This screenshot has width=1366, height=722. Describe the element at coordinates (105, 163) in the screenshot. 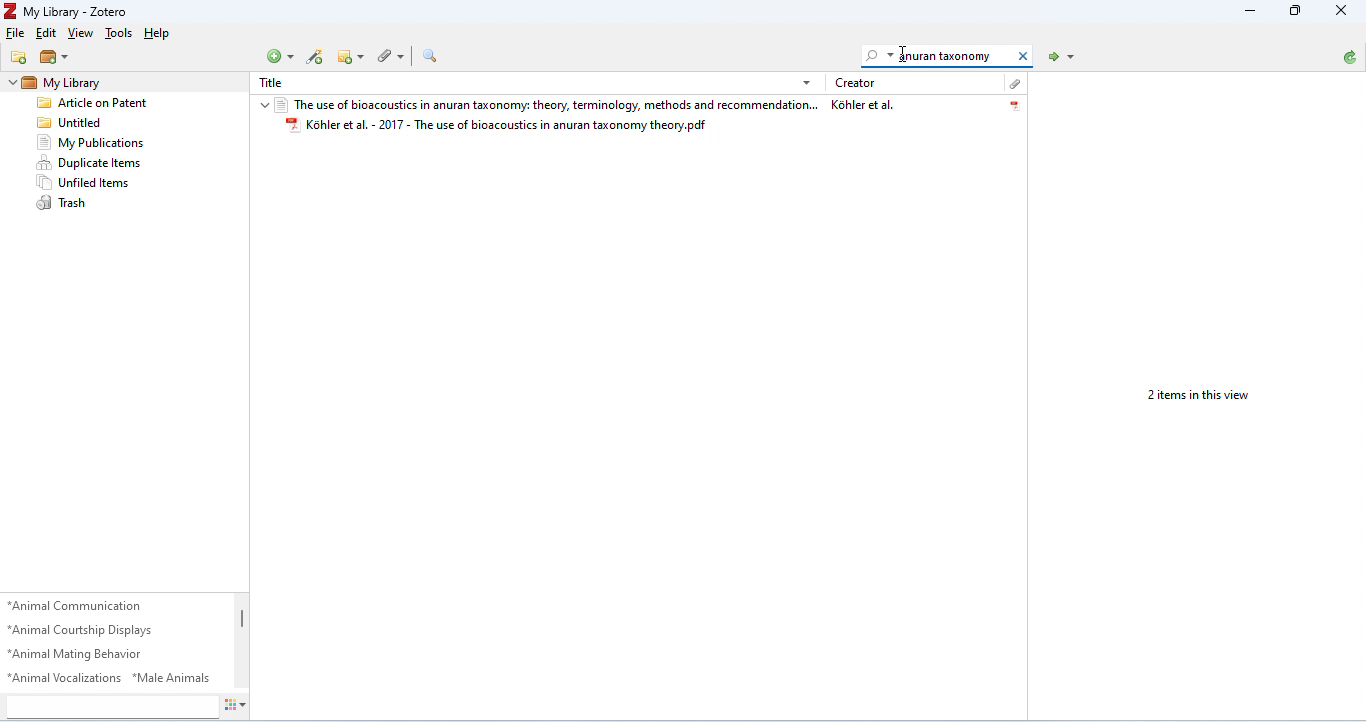

I see `+ Duplicate Items` at that location.